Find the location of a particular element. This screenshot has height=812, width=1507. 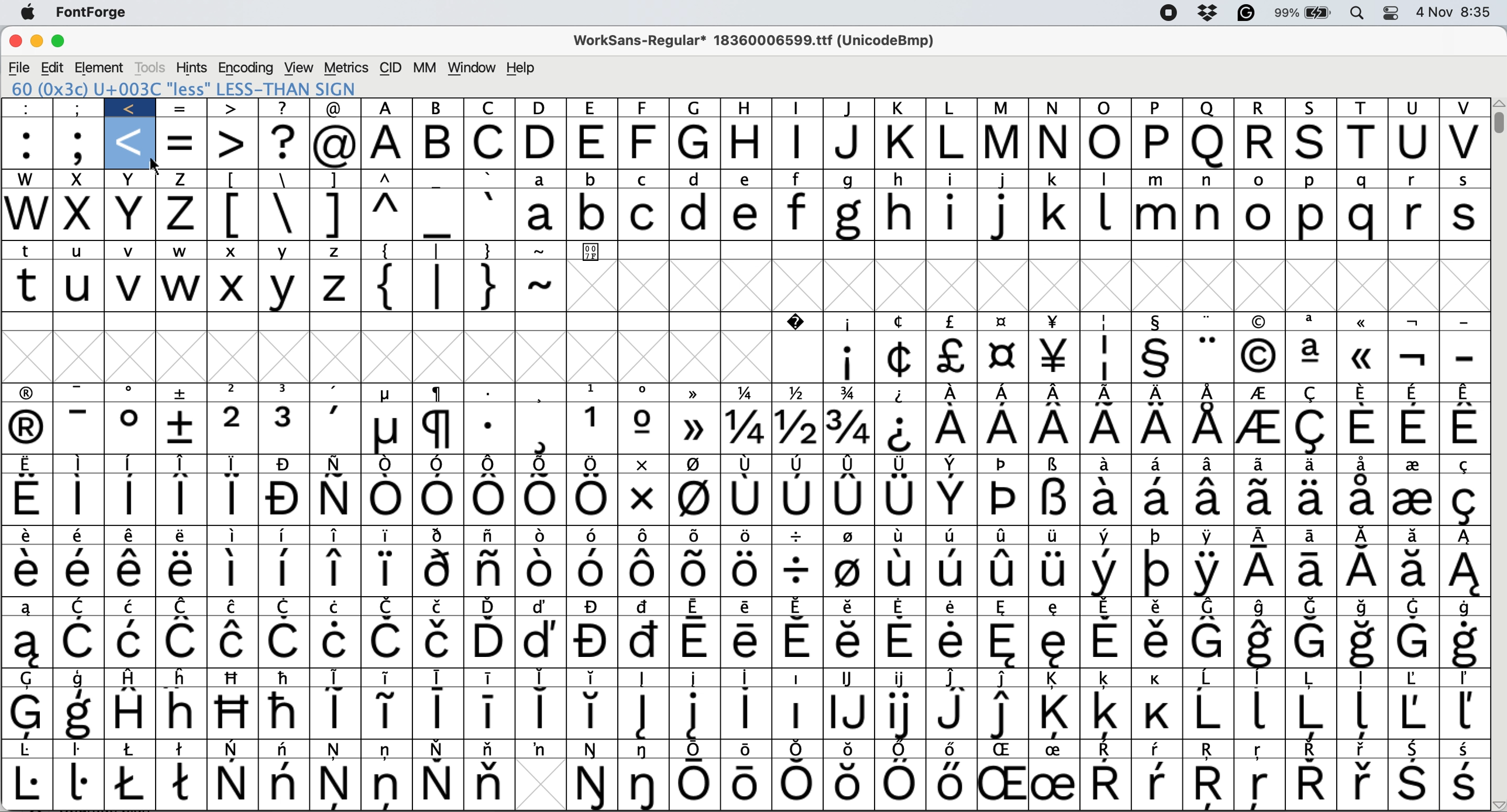

Symbol is located at coordinates (387, 534).